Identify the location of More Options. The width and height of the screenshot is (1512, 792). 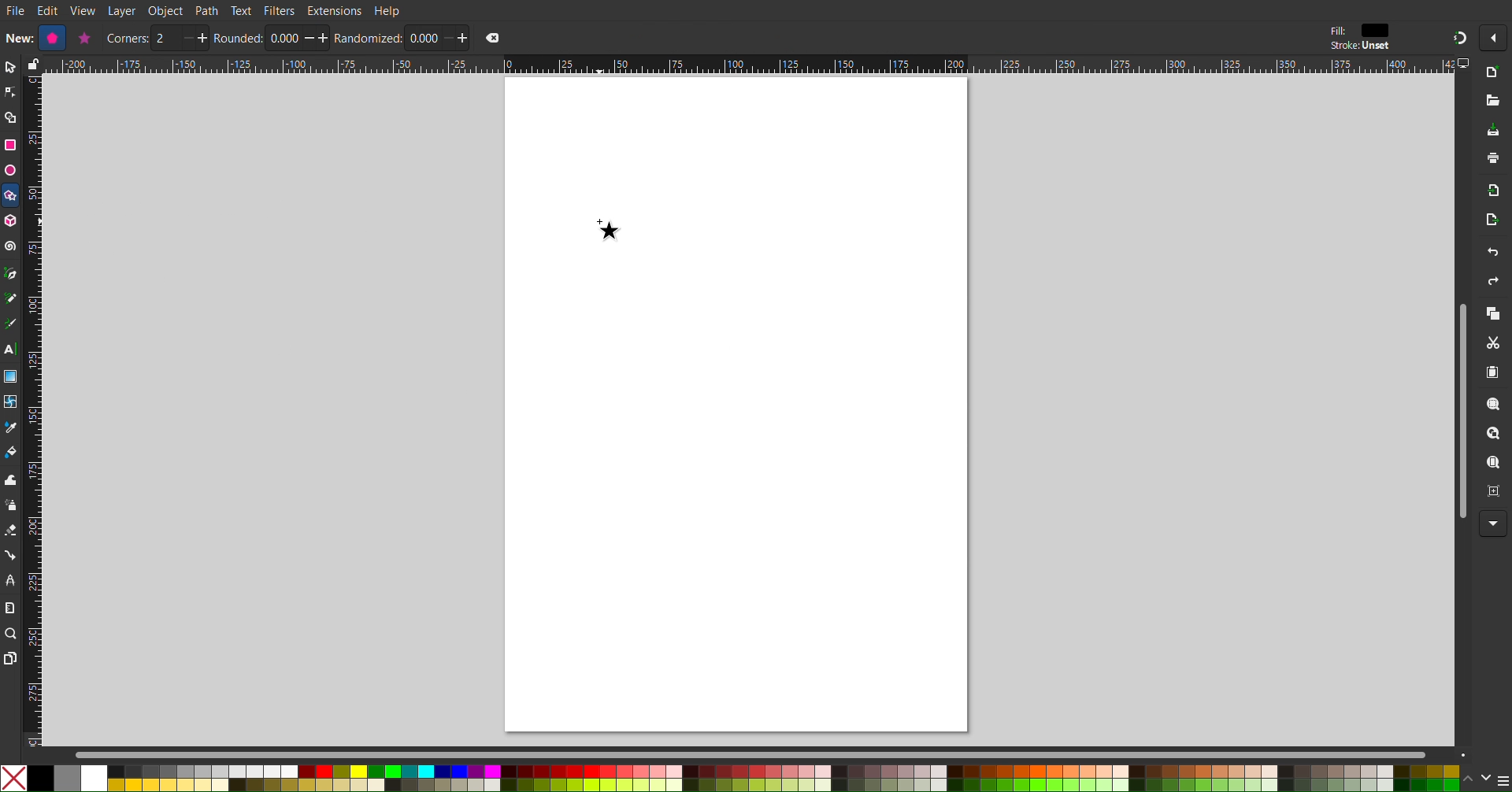
(1497, 38).